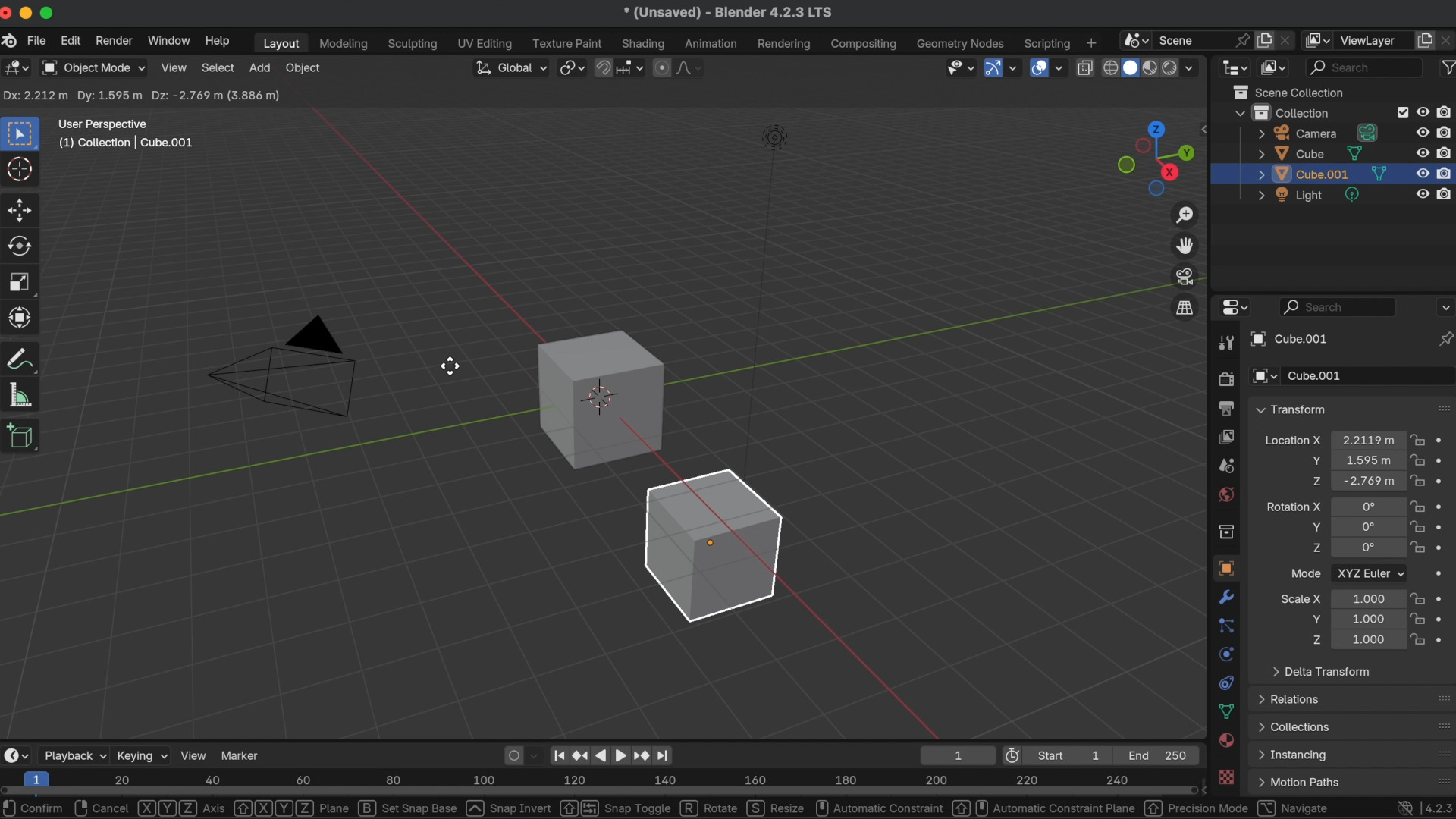 This screenshot has height=819, width=1456. I want to click on scale X, so click(1301, 598).